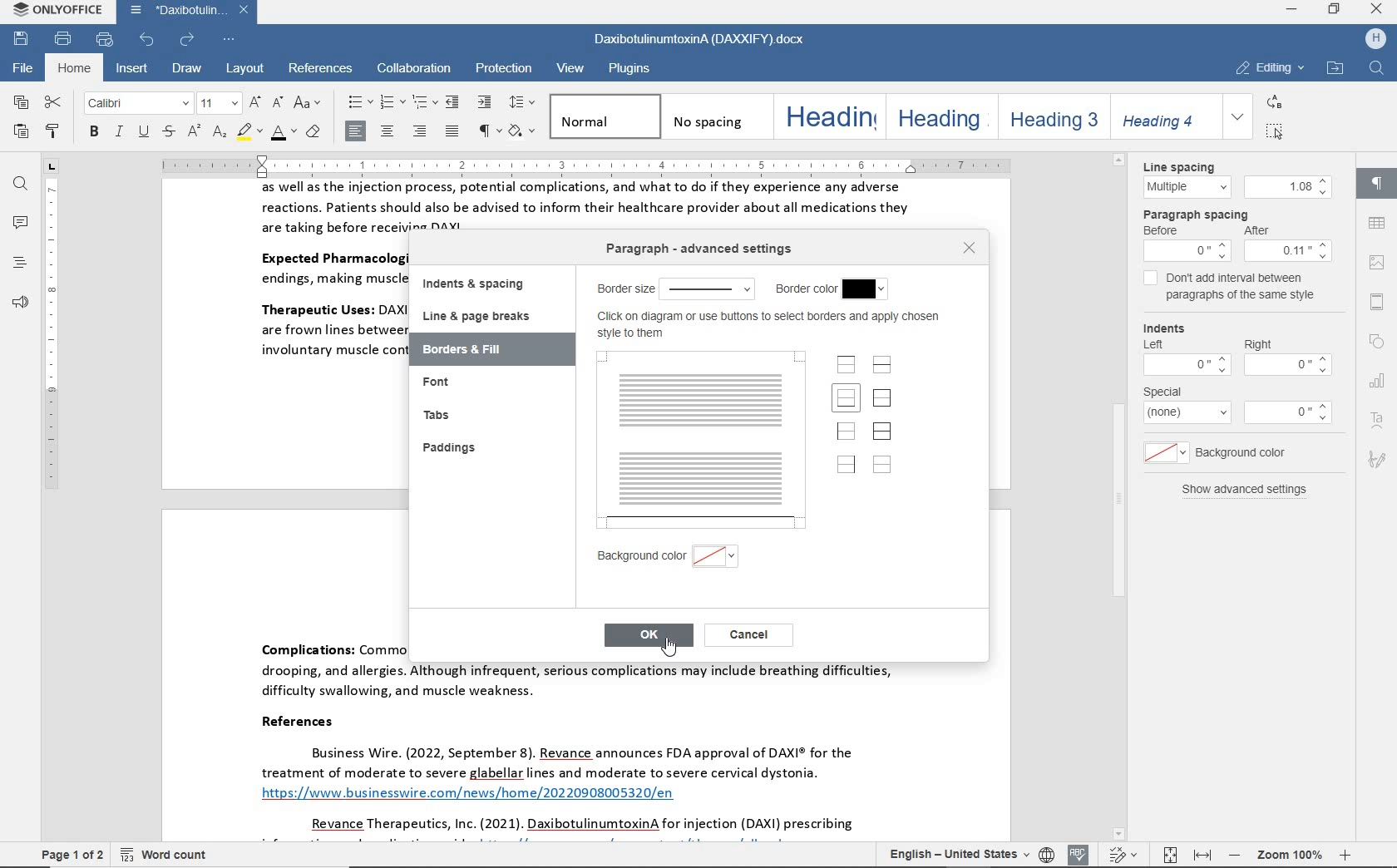 This screenshot has height=868, width=1397. I want to click on hp, so click(1372, 40).